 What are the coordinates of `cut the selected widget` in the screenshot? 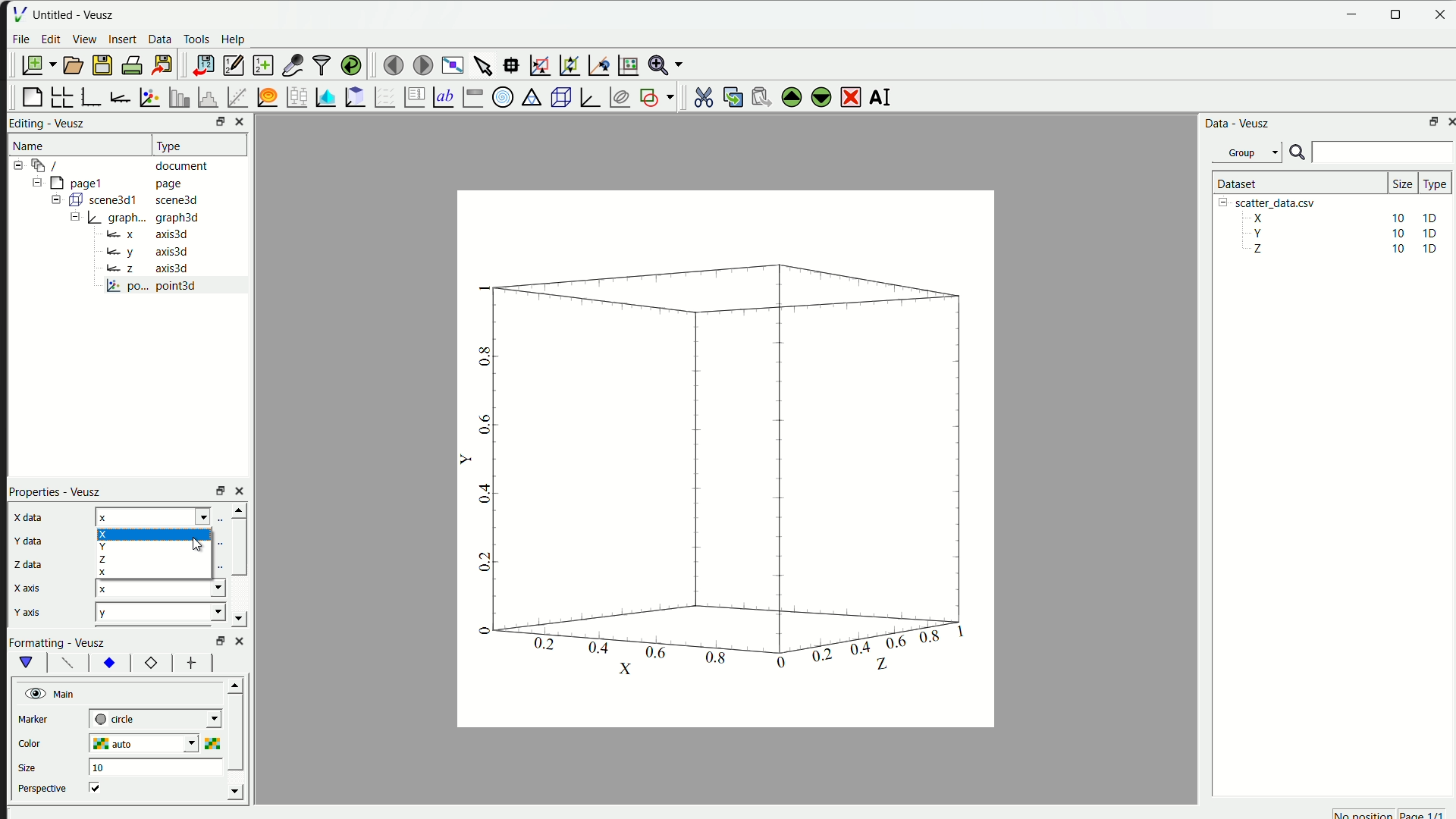 It's located at (701, 96).